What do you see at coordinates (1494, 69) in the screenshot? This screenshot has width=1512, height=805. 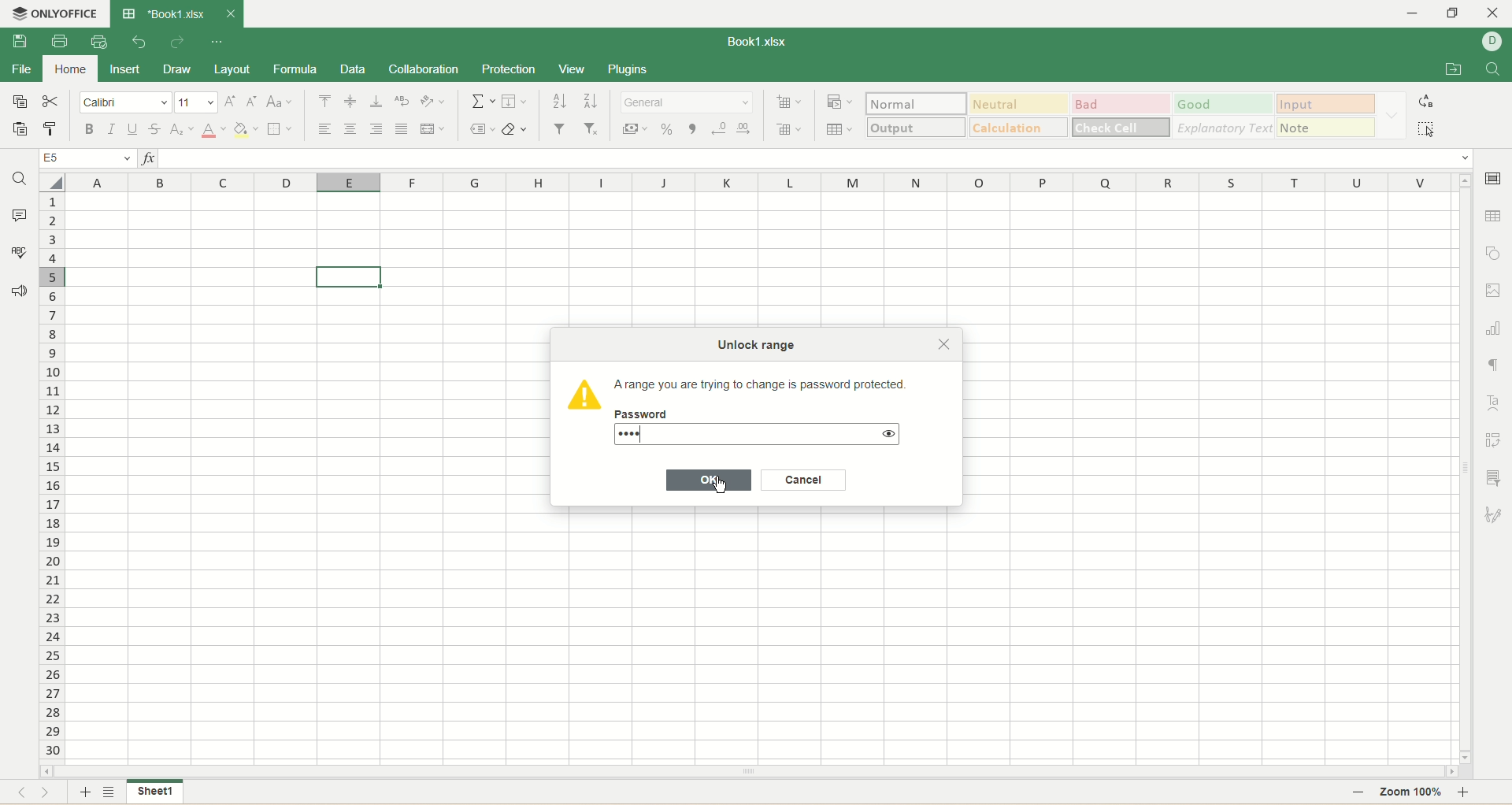 I see `find` at bounding box center [1494, 69].